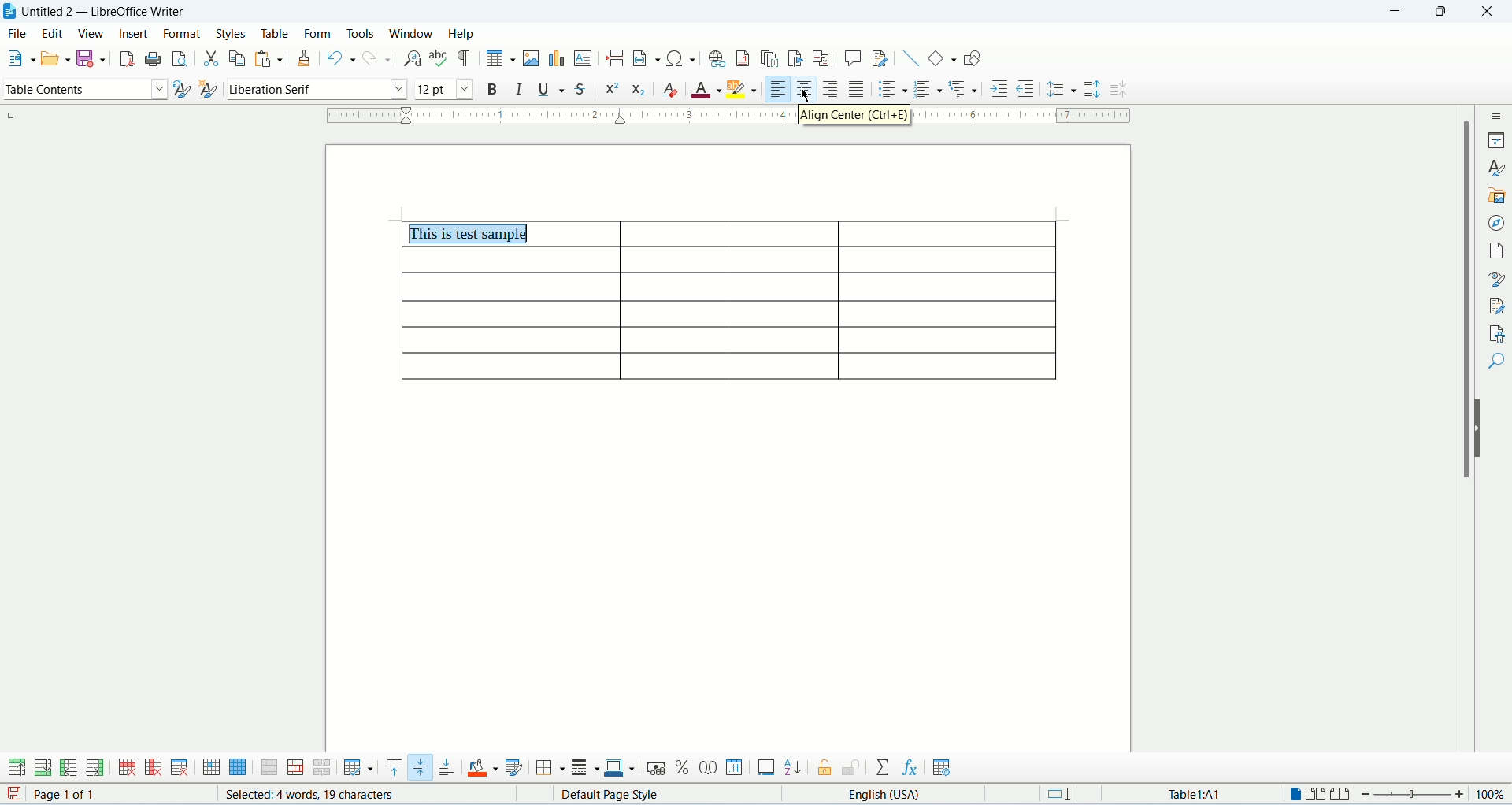 This screenshot has width=1512, height=805. I want to click on font size, so click(445, 90).